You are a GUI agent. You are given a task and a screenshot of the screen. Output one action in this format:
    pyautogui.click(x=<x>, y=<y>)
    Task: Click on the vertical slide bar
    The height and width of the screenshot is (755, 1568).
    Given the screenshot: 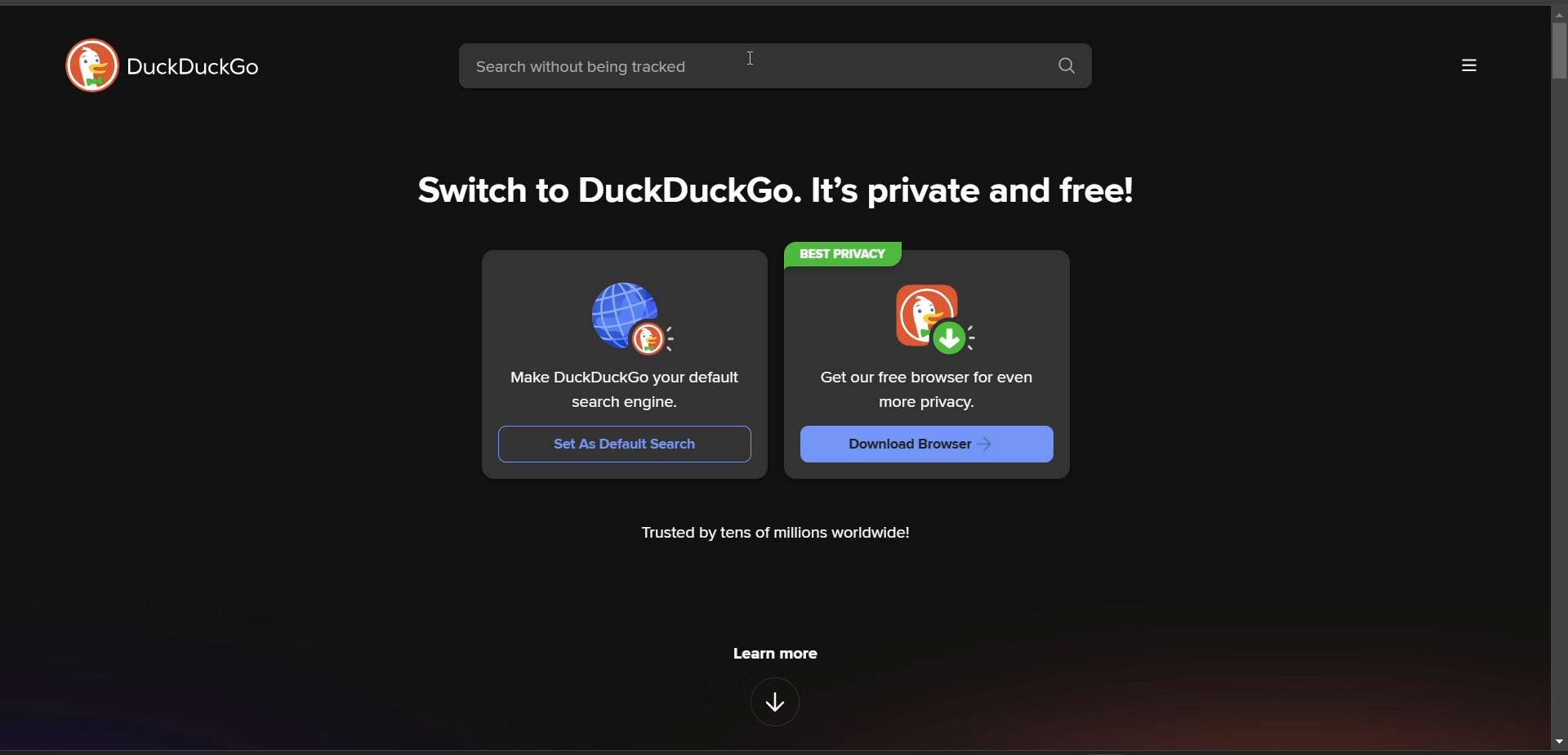 What is the action you would take?
    pyautogui.click(x=1557, y=53)
    